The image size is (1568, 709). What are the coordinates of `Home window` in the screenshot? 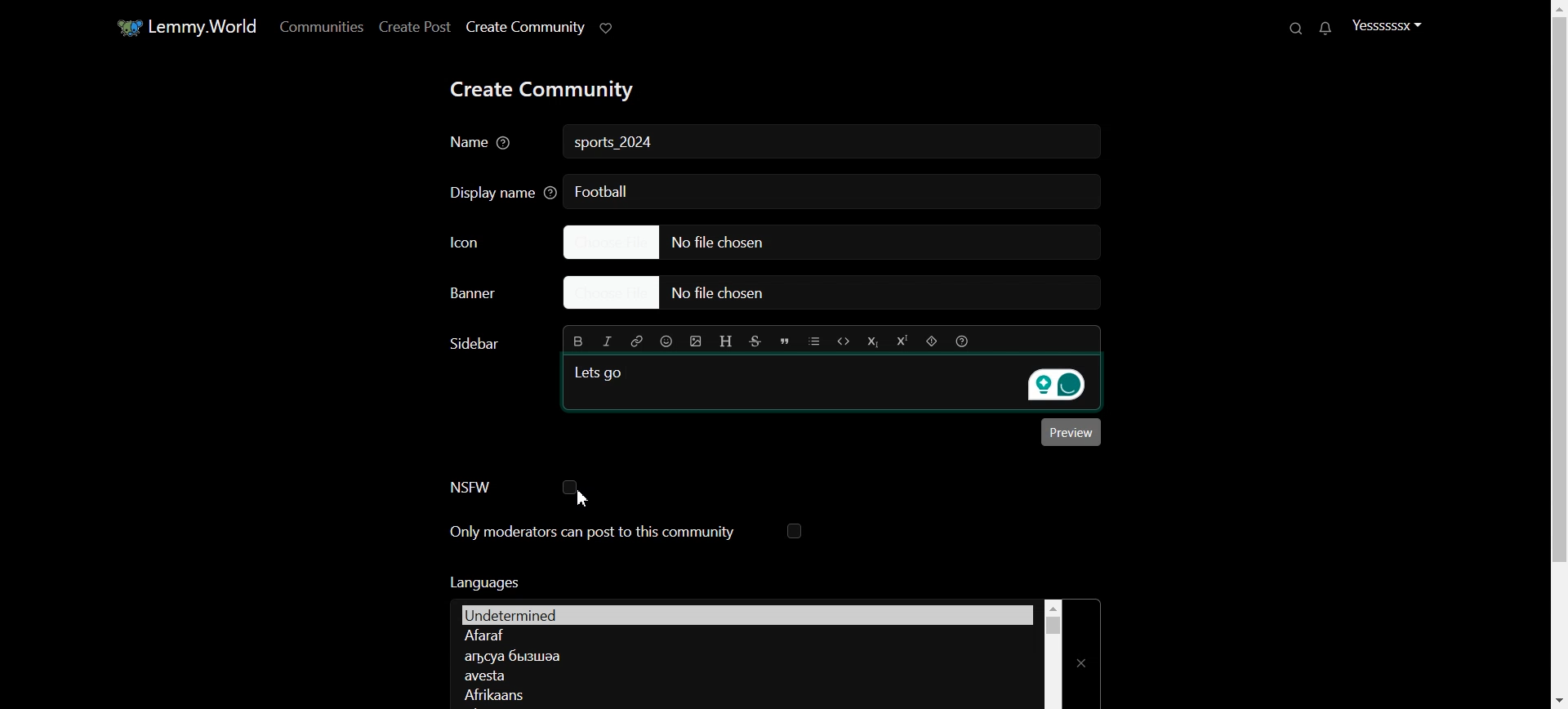 It's located at (185, 25).